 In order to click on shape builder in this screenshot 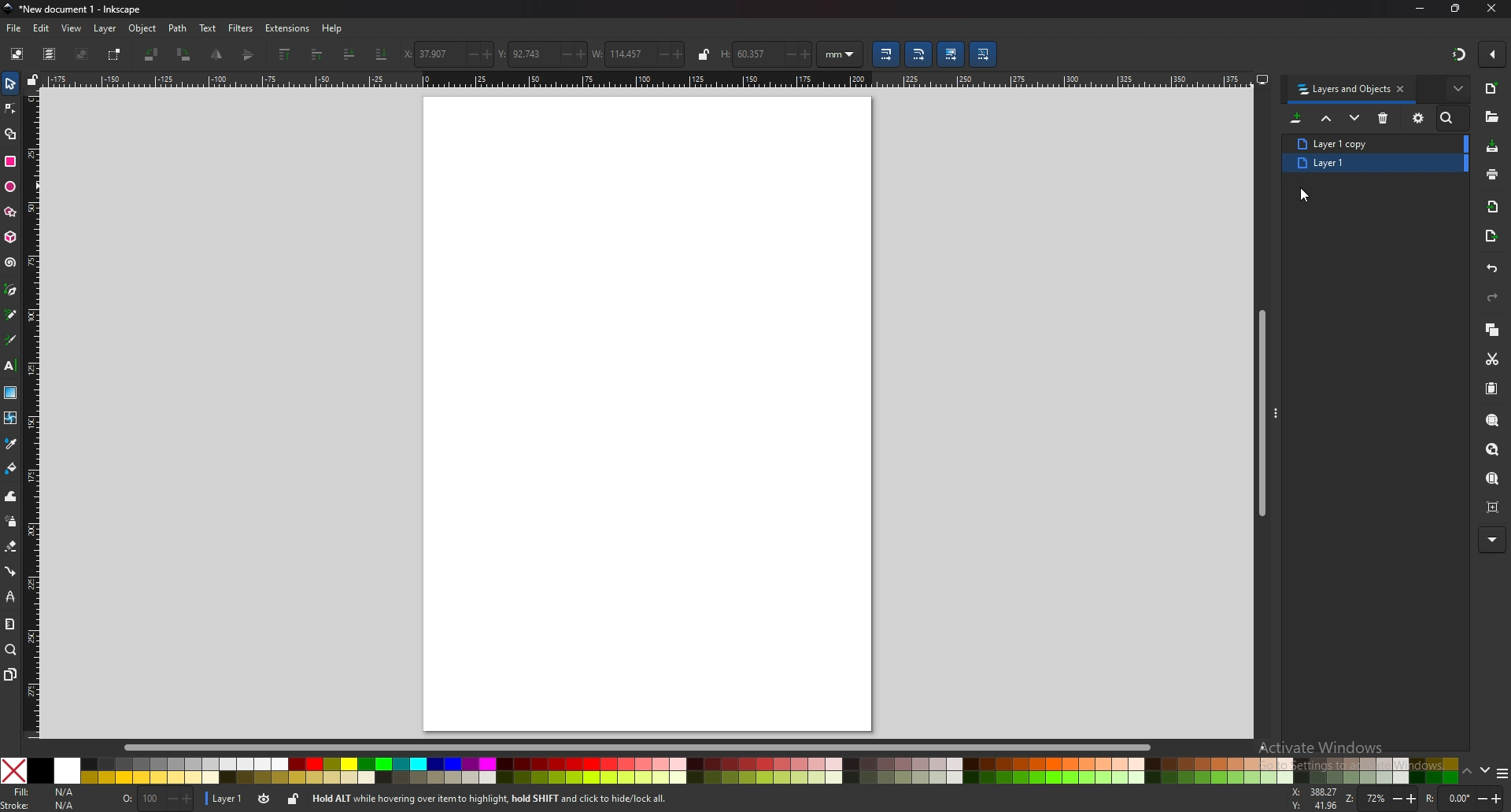, I will do `click(9, 135)`.